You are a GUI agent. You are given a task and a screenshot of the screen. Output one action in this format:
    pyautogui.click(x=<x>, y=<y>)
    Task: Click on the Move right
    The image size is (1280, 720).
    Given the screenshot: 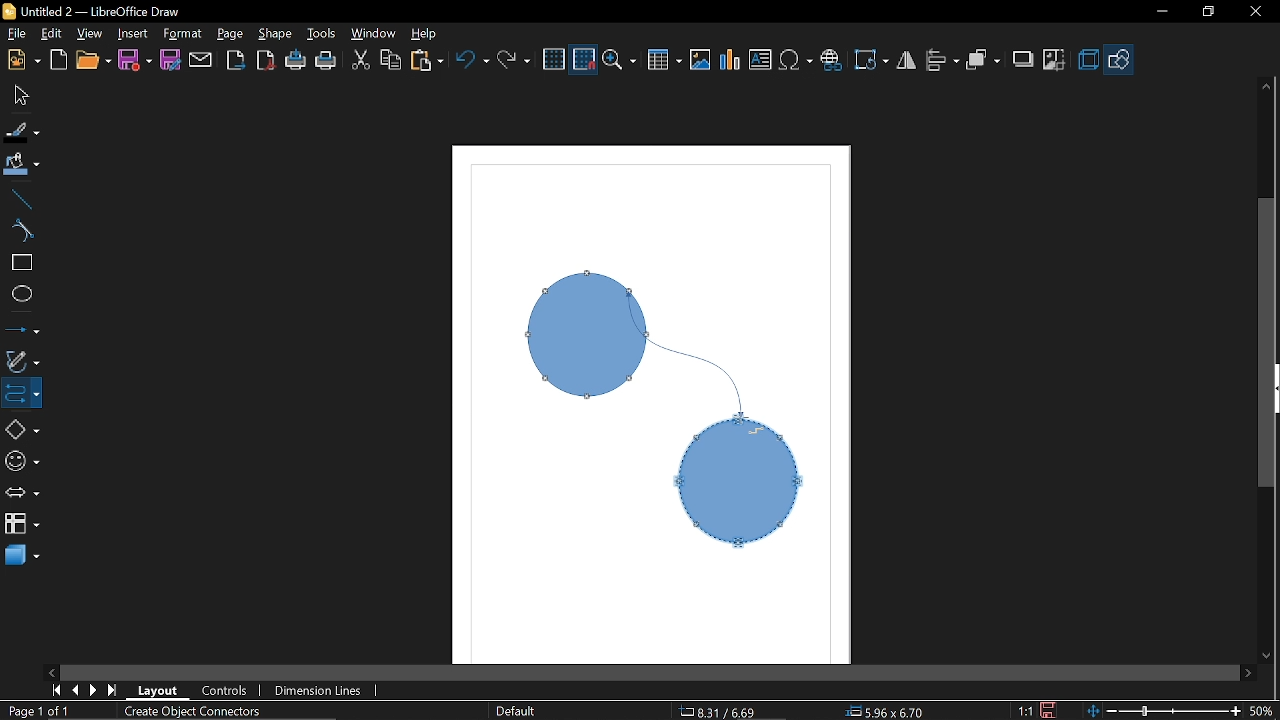 What is the action you would take?
    pyautogui.click(x=1251, y=674)
    